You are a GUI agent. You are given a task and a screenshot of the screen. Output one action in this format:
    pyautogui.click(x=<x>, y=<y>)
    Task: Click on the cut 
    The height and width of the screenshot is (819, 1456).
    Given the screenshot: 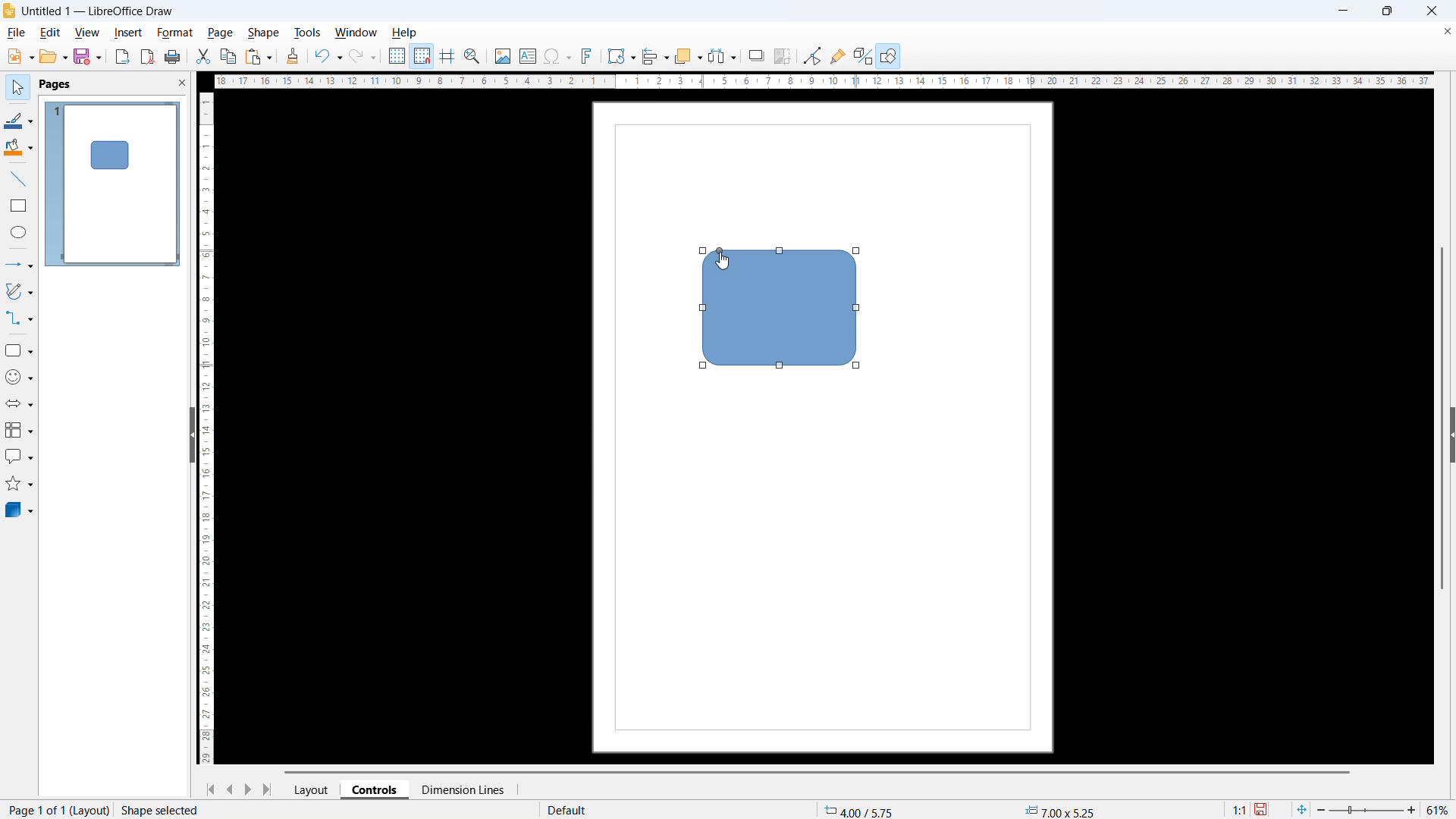 What is the action you would take?
    pyautogui.click(x=202, y=57)
    